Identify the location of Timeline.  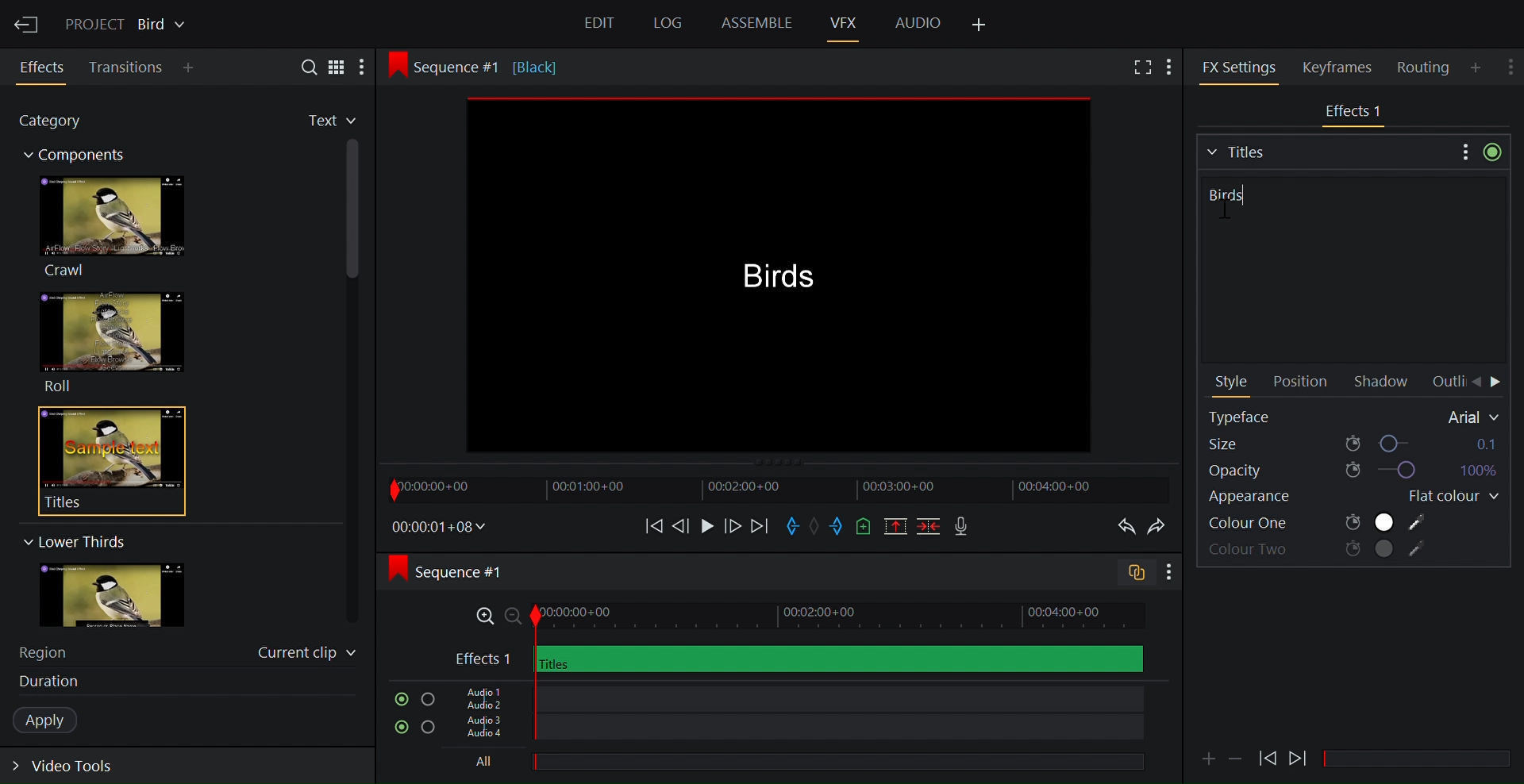
(914, 481).